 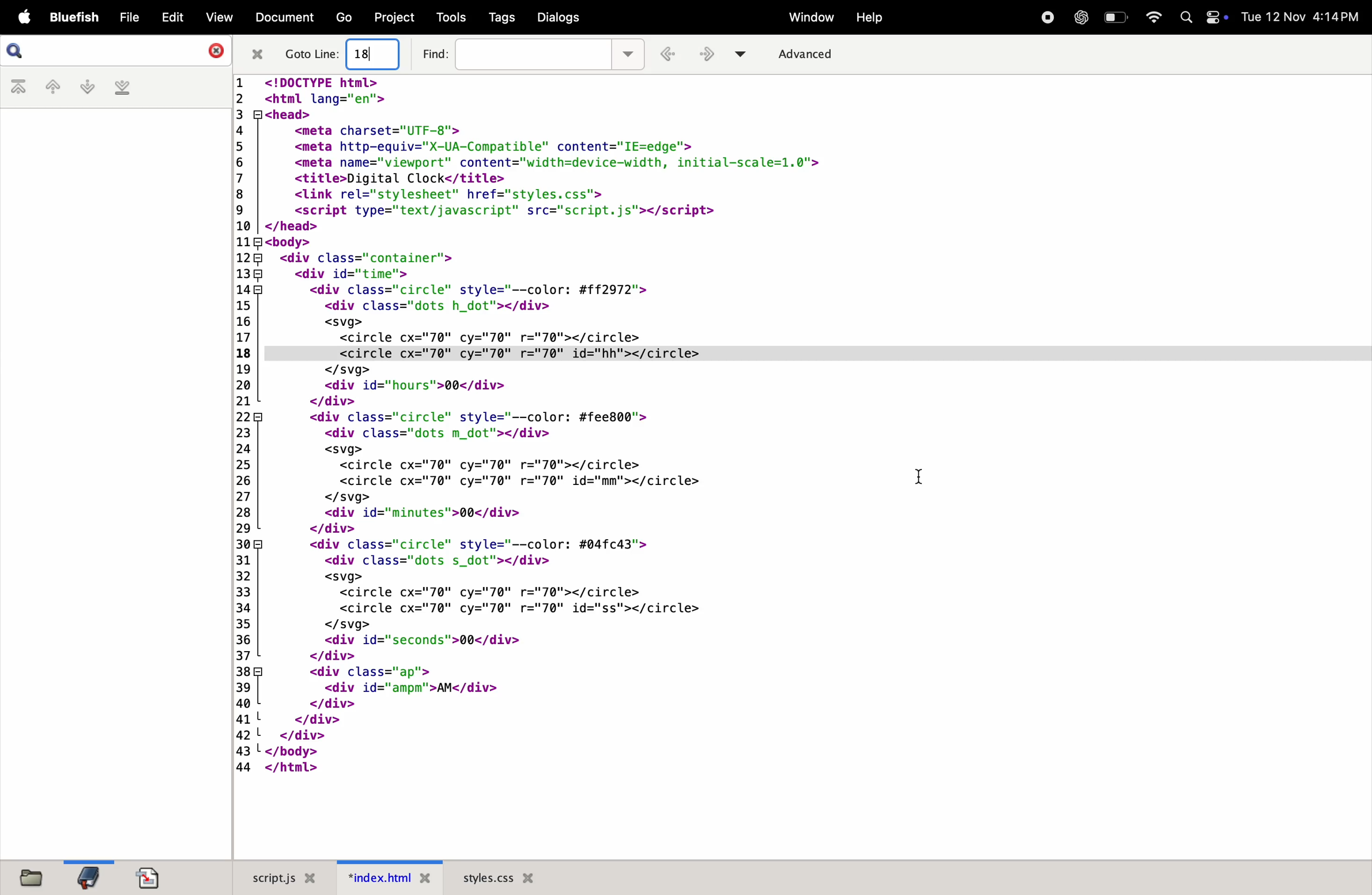 What do you see at coordinates (71, 18) in the screenshot?
I see `bluefish` at bounding box center [71, 18].